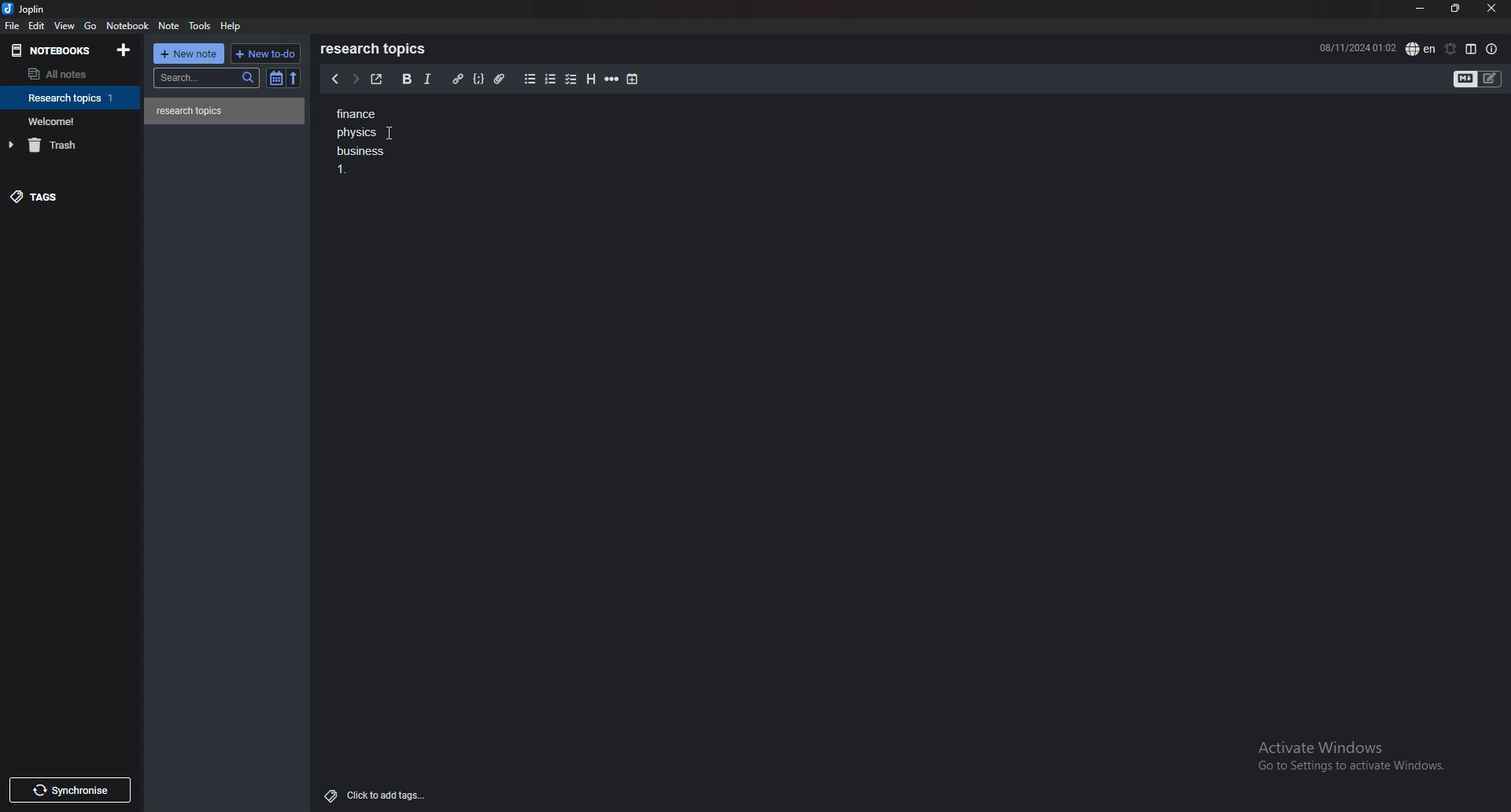 The image size is (1511, 812). What do you see at coordinates (1357, 47) in the screenshot?
I see `08/11/2024 01:02` at bounding box center [1357, 47].